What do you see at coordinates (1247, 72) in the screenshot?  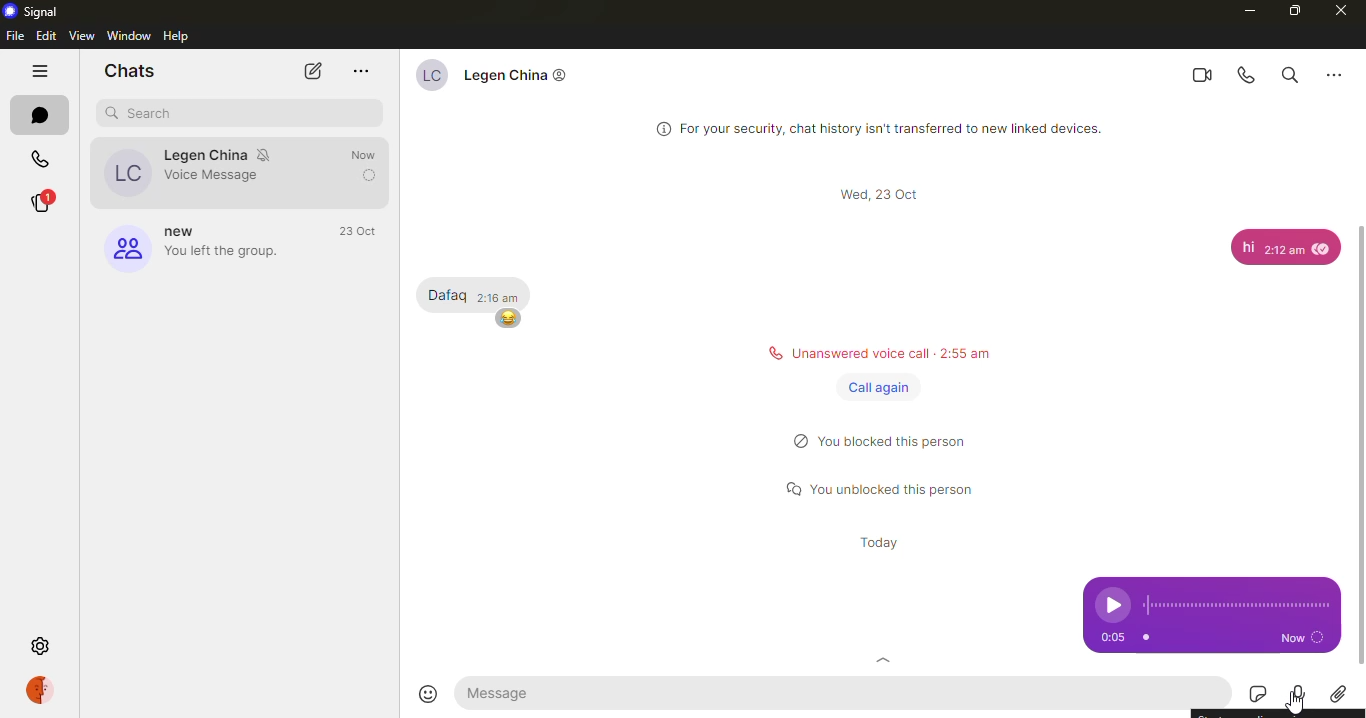 I see `voice call` at bounding box center [1247, 72].